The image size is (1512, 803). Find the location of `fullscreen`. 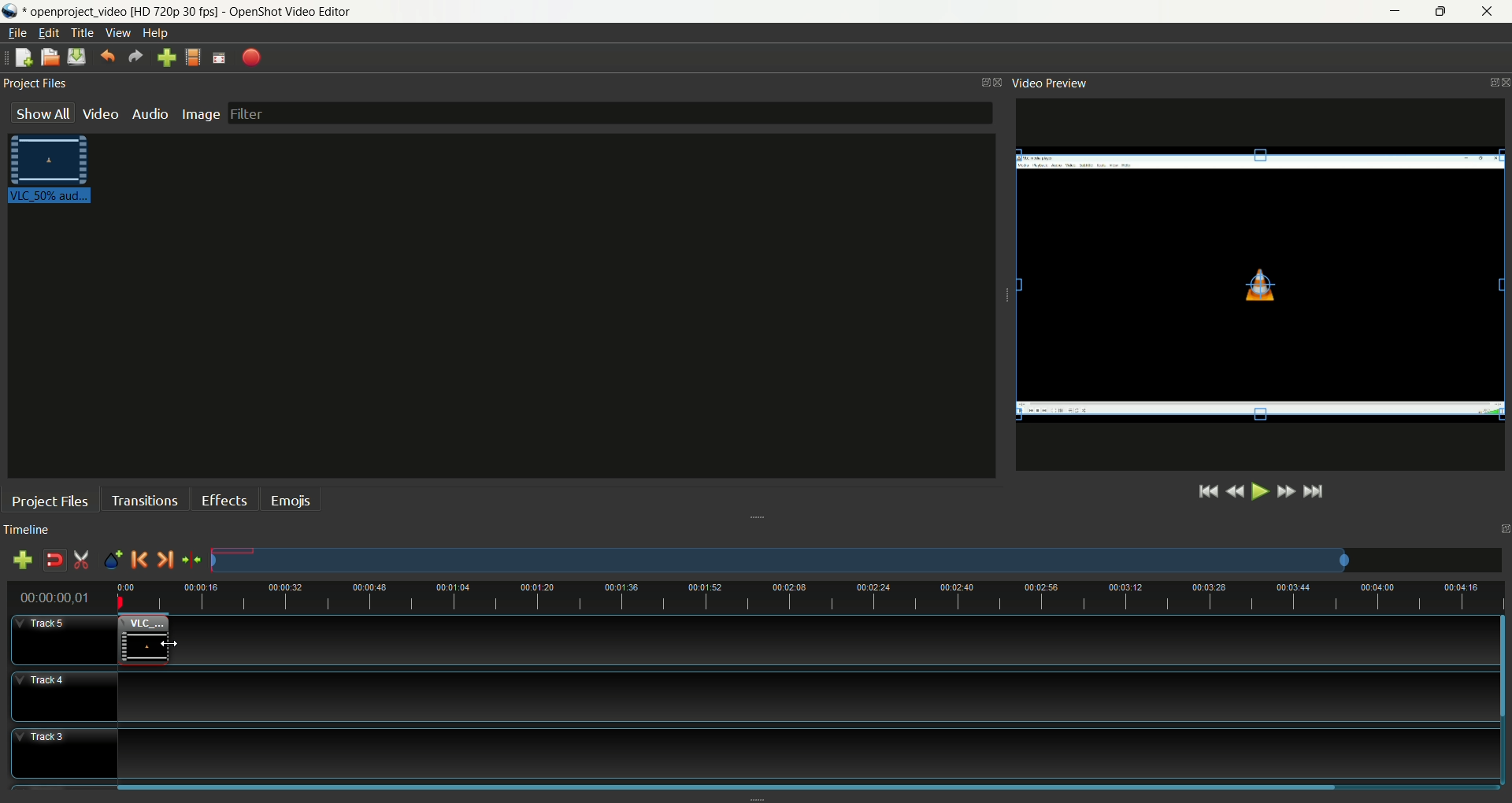

fullscreen is located at coordinates (220, 58).